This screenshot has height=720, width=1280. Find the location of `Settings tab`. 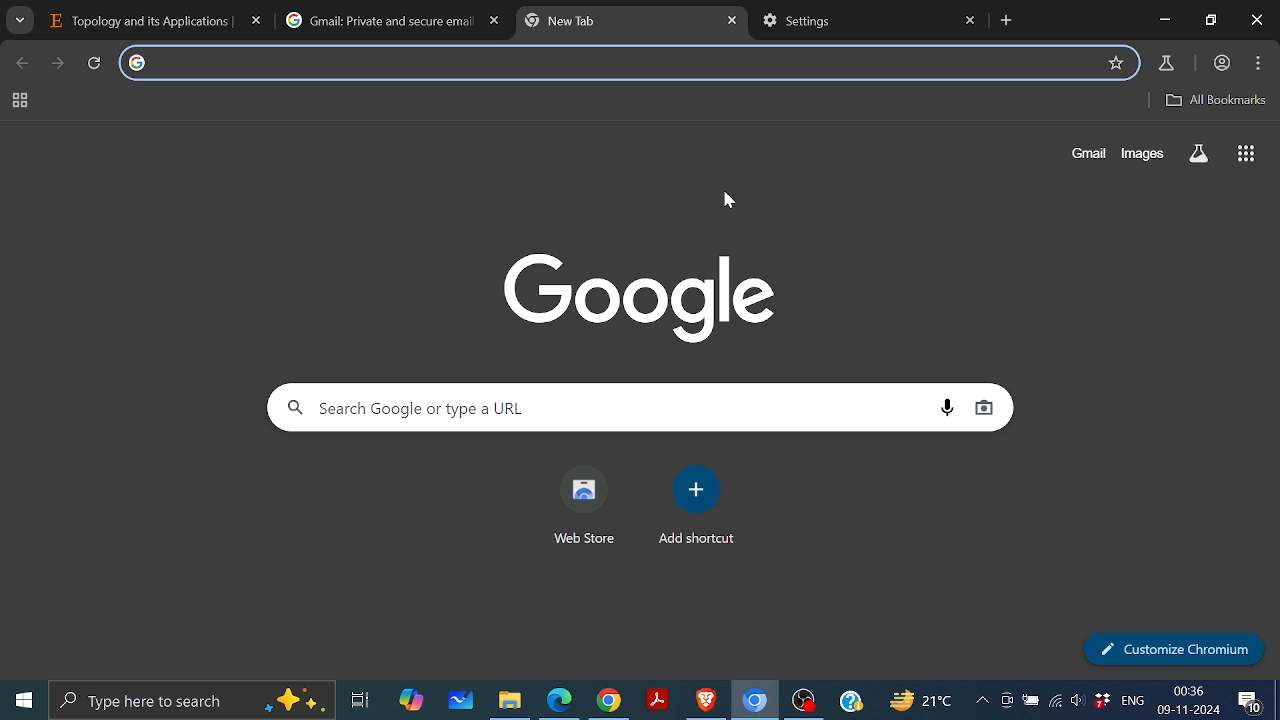

Settings tab is located at coordinates (856, 23).